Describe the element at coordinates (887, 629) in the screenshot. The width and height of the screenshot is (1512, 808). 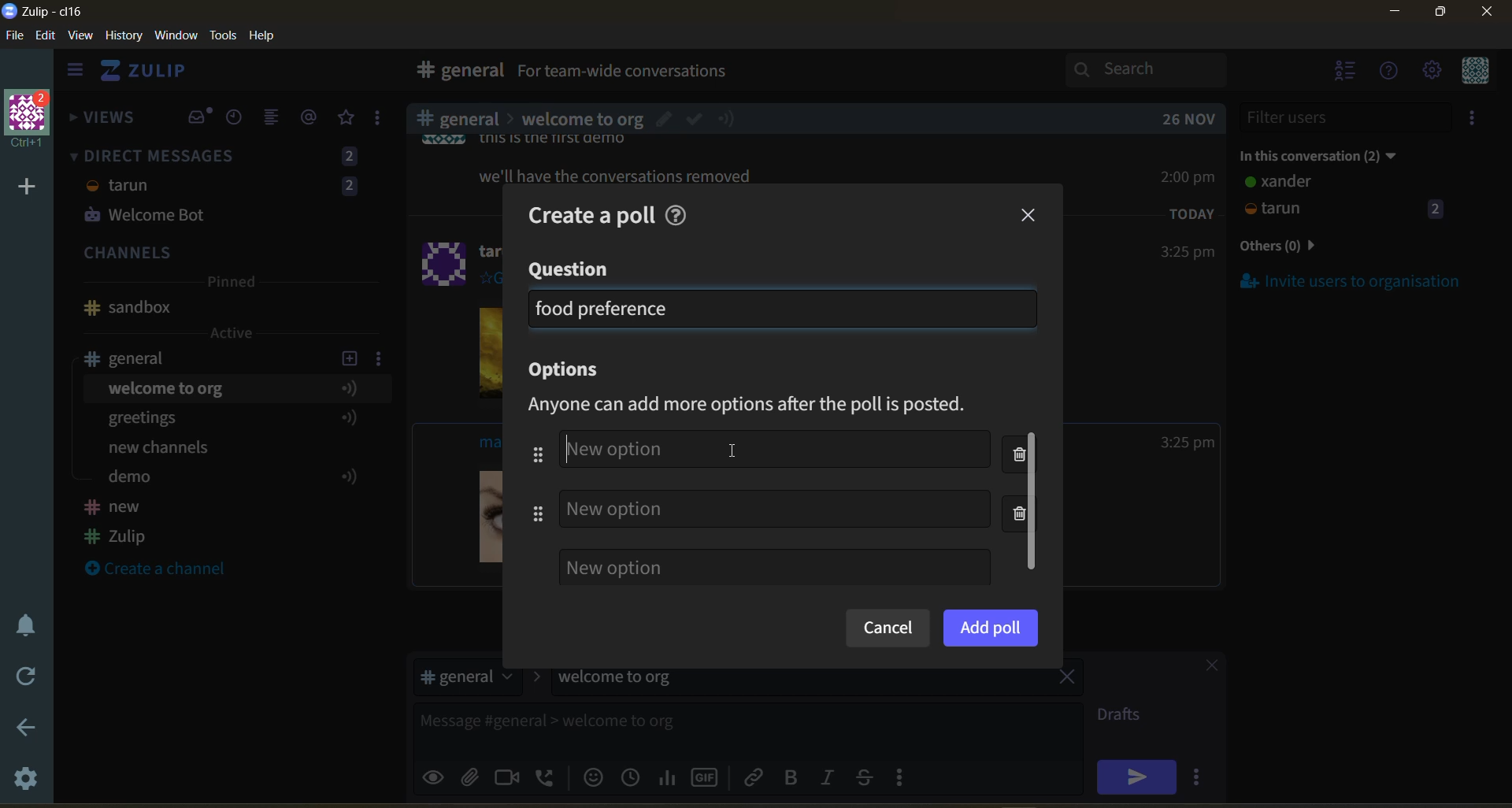
I see `cancel` at that location.